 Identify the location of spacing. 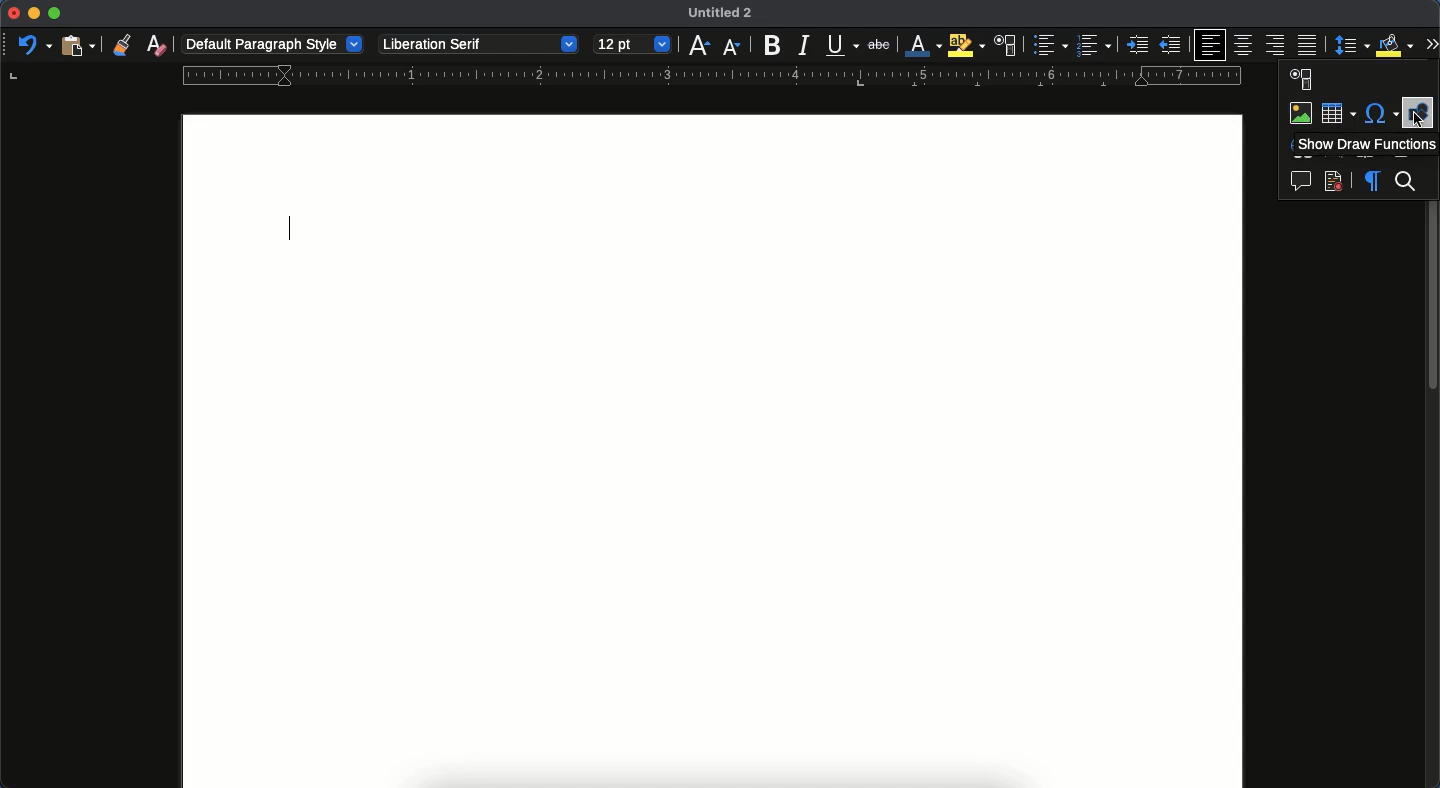
(1350, 45).